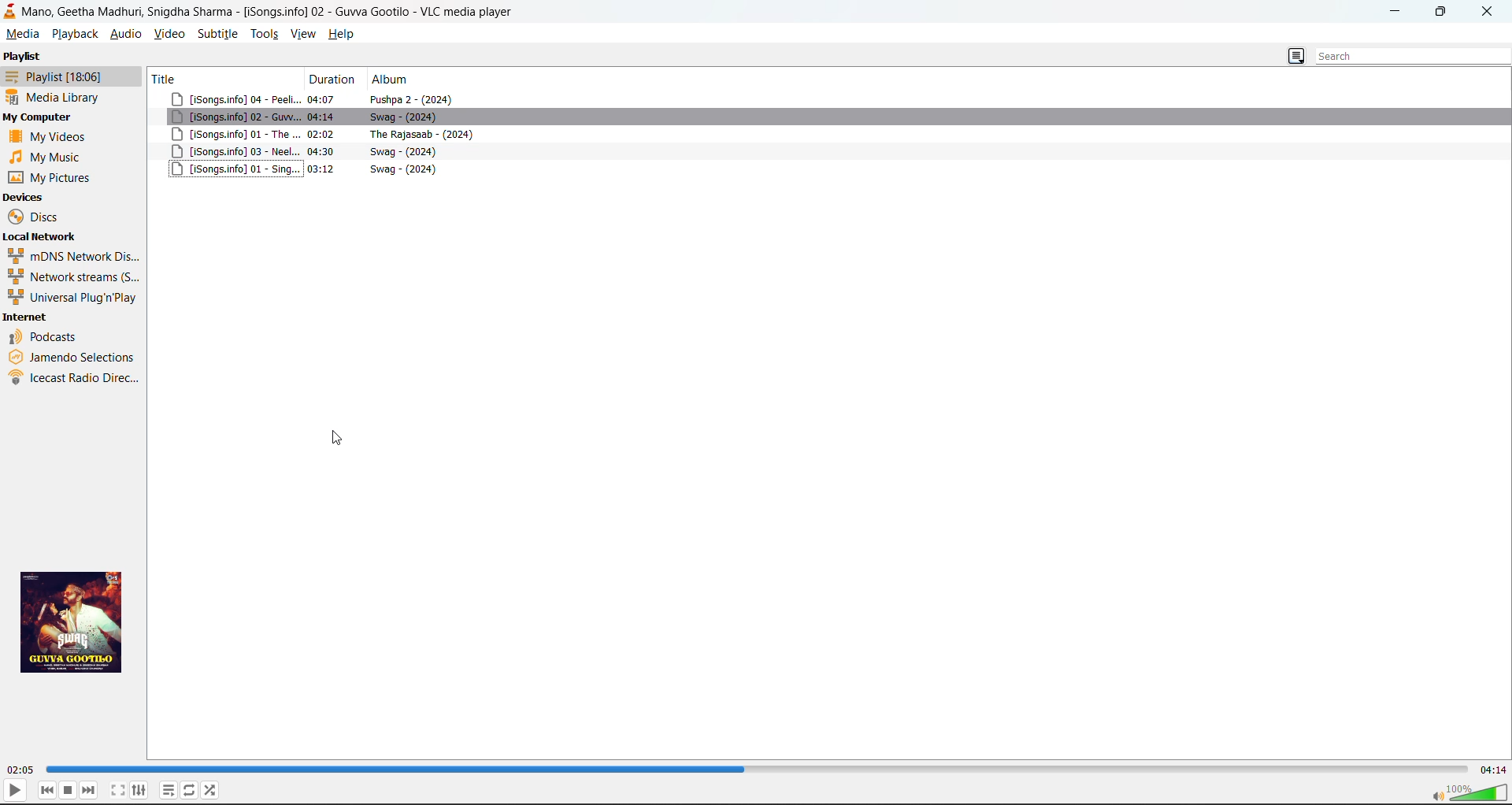 The height and width of the screenshot is (805, 1512). What do you see at coordinates (15, 789) in the screenshot?
I see `play` at bounding box center [15, 789].